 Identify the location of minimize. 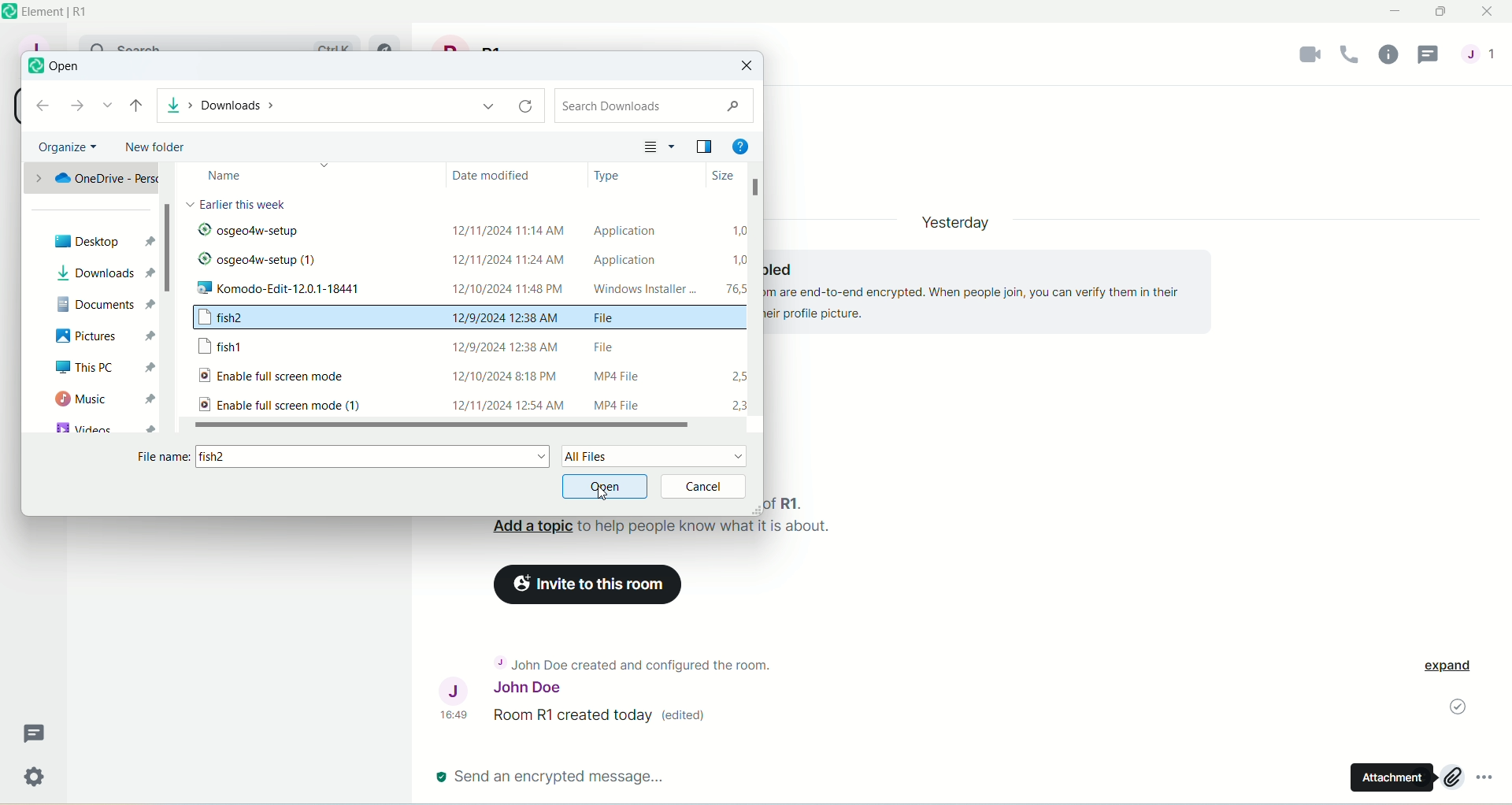
(1397, 12).